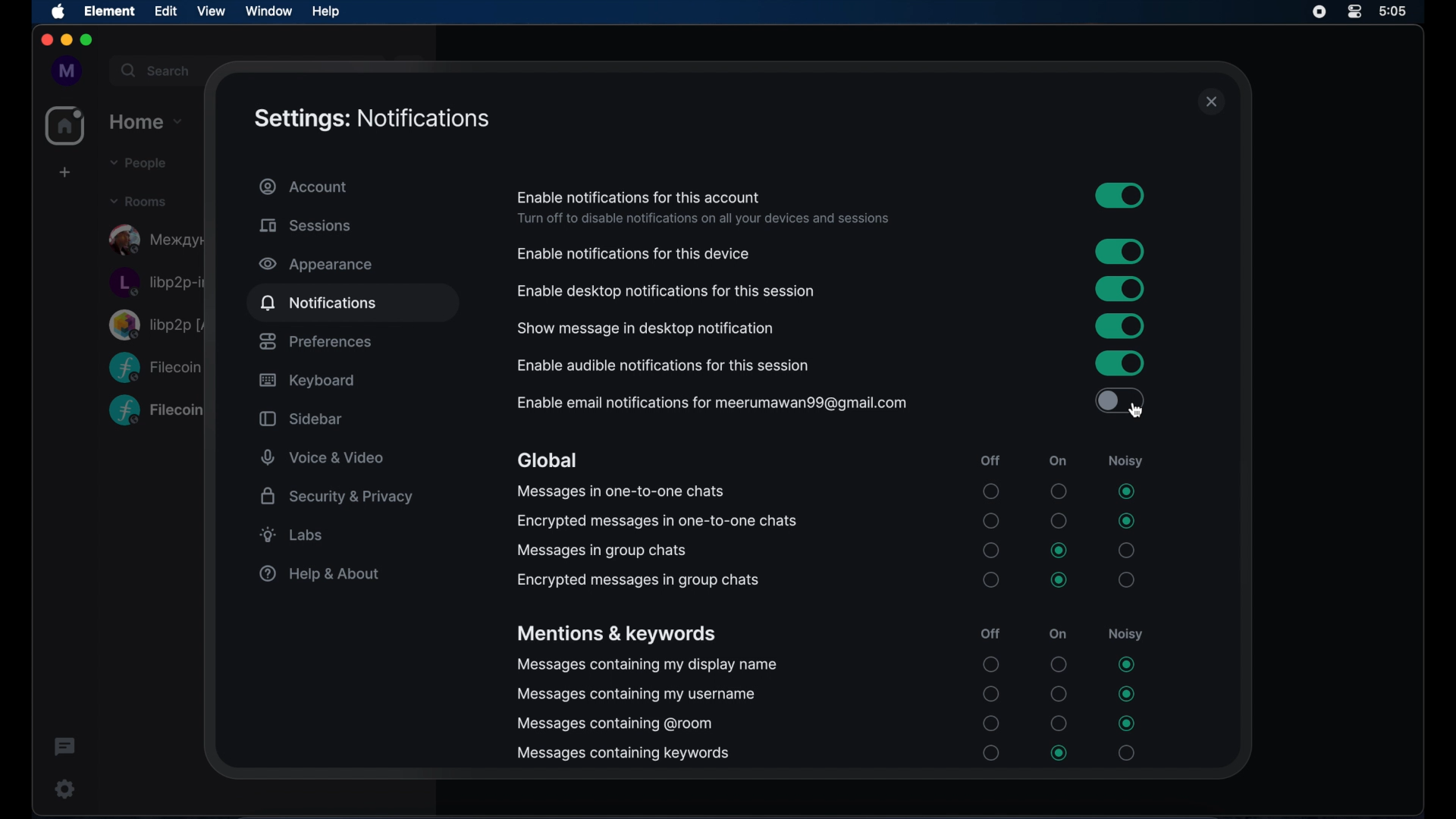  I want to click on noisy, so click(1125, 462).